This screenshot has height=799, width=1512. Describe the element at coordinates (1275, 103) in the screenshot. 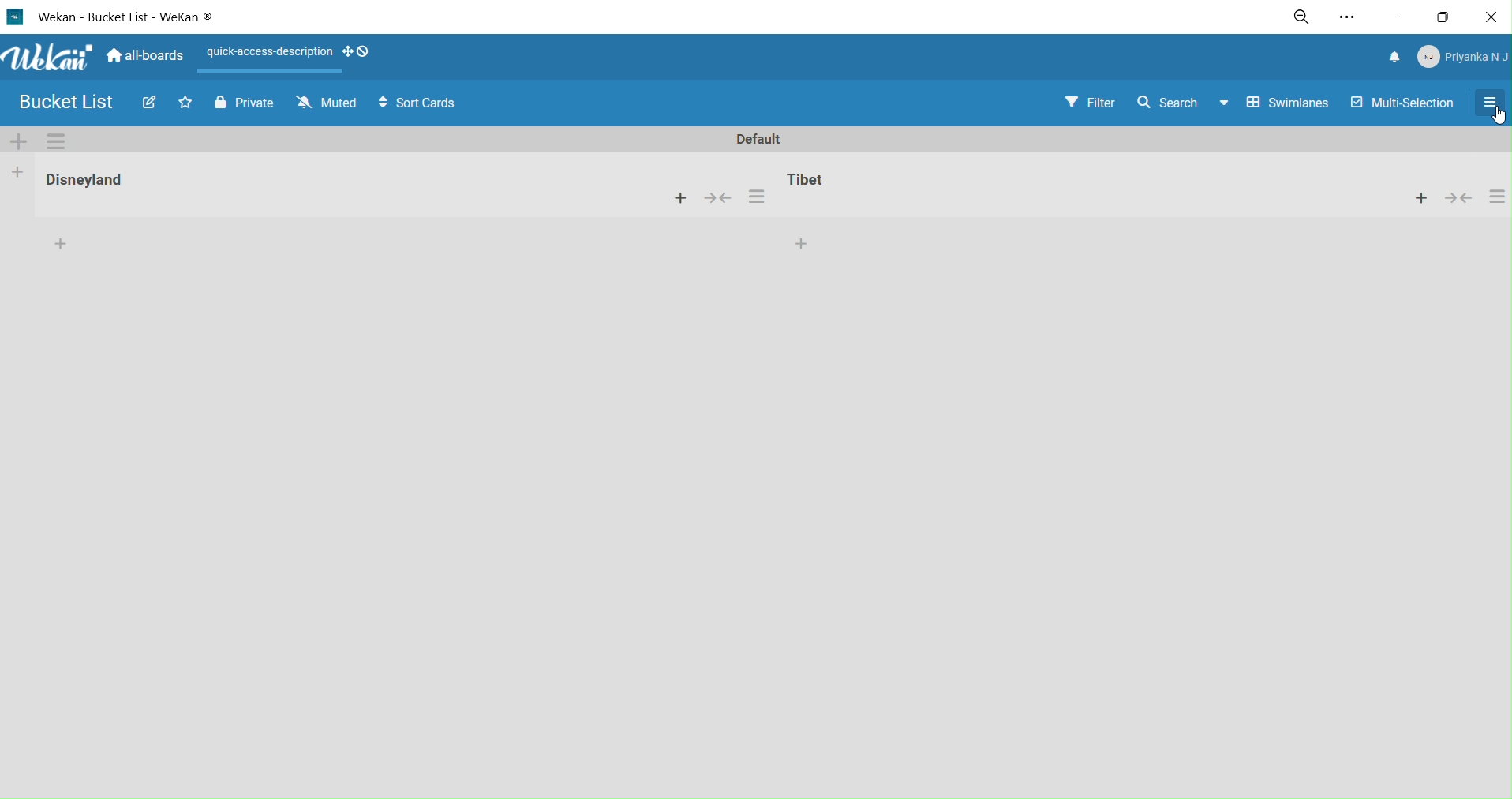

I see `swimlanes` at that location.